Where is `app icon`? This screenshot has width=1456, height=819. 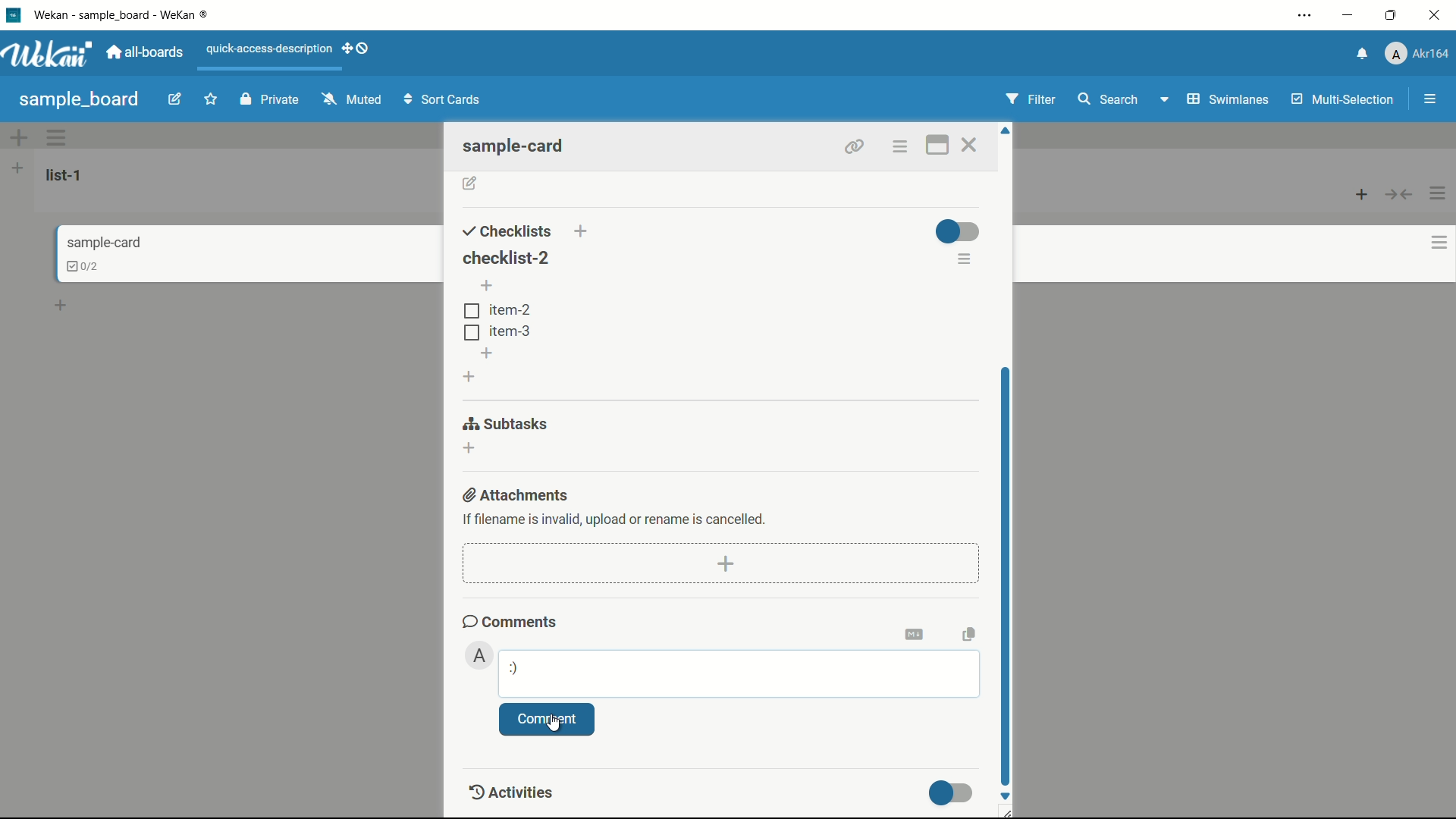 app icon is located at coordinates (13, 16).